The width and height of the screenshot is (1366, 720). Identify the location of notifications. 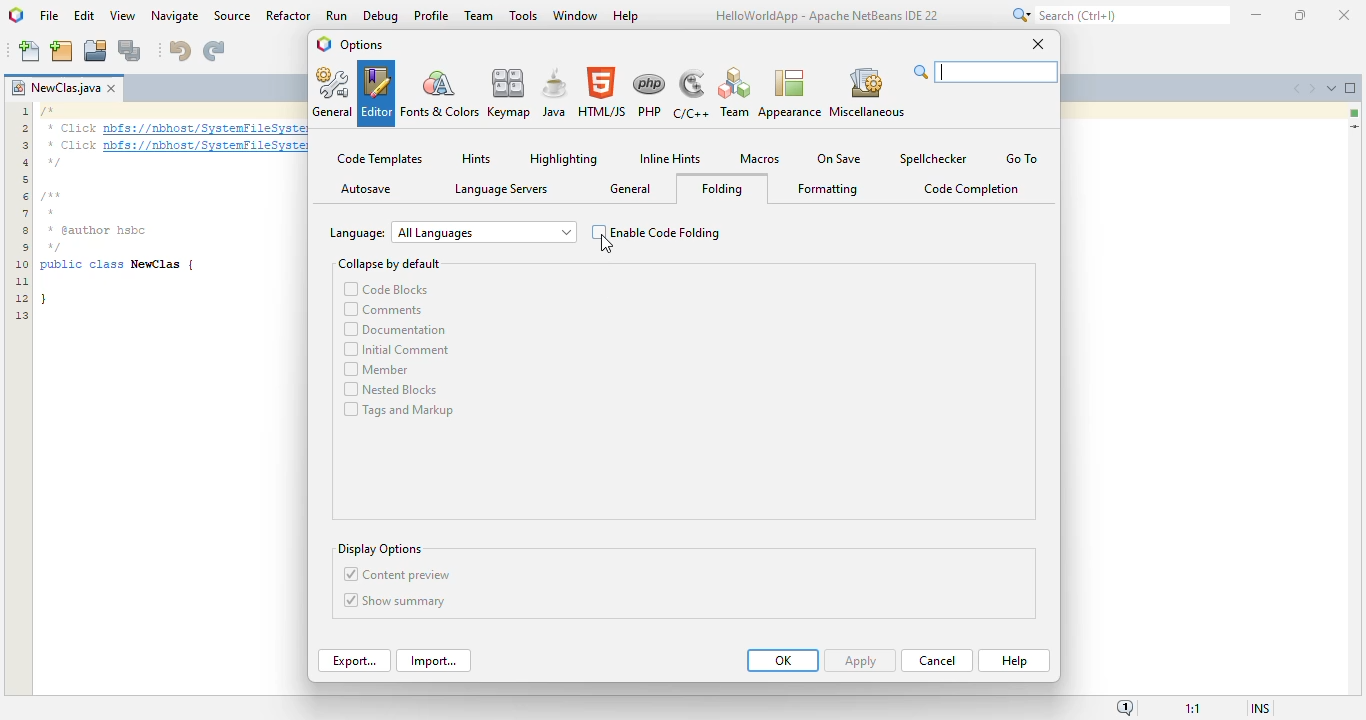
(1124, 708).